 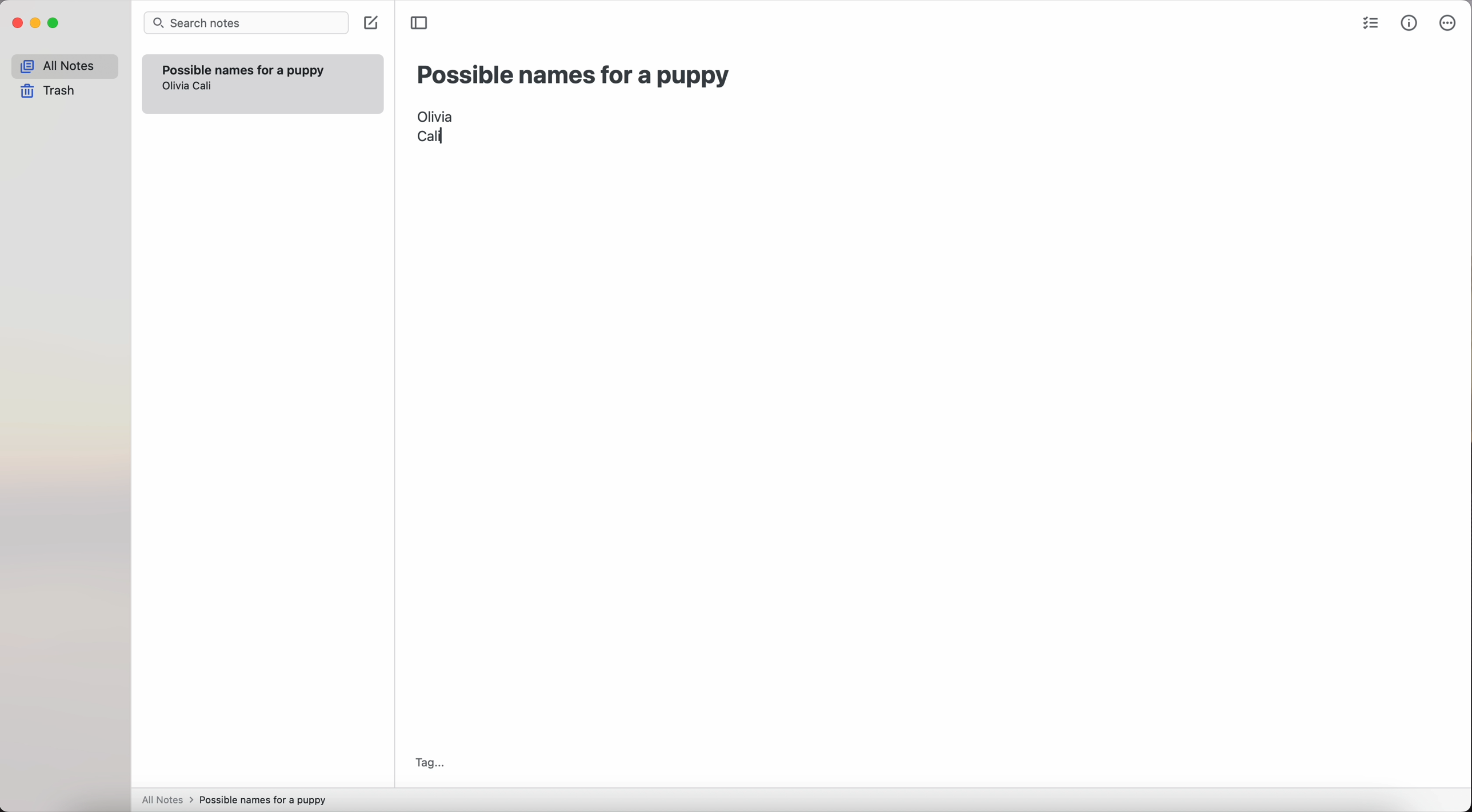 What do you see at coordinates (436, 114) in the screenshot?
I see `Olivia` at bounding box center [436, 114].